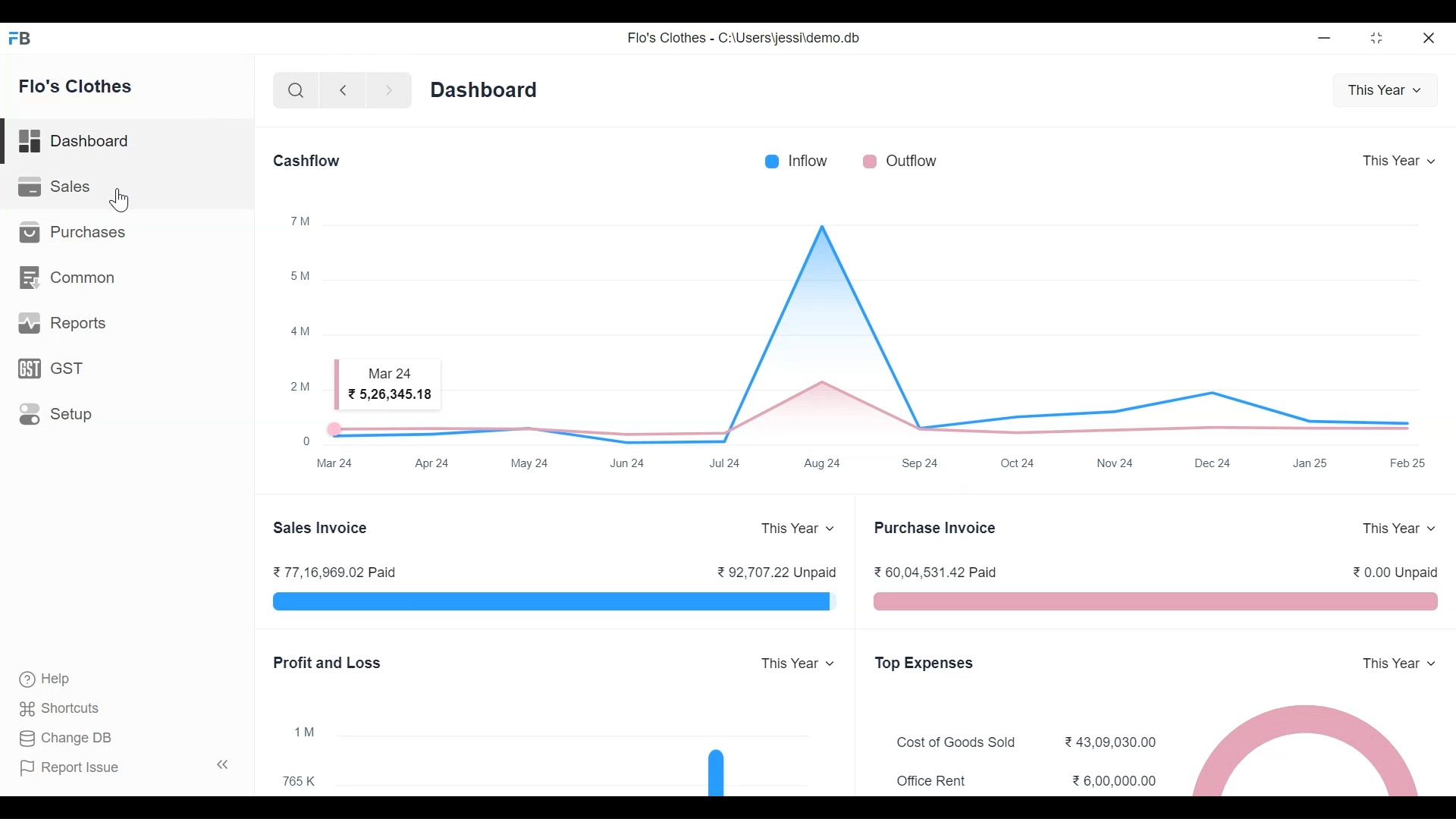 The height and width of the screenshot is (819, 1456). Describe the element at coordinates (1395, 574) in the screenshot. I see `% 0.00 Unpaid` at that location.